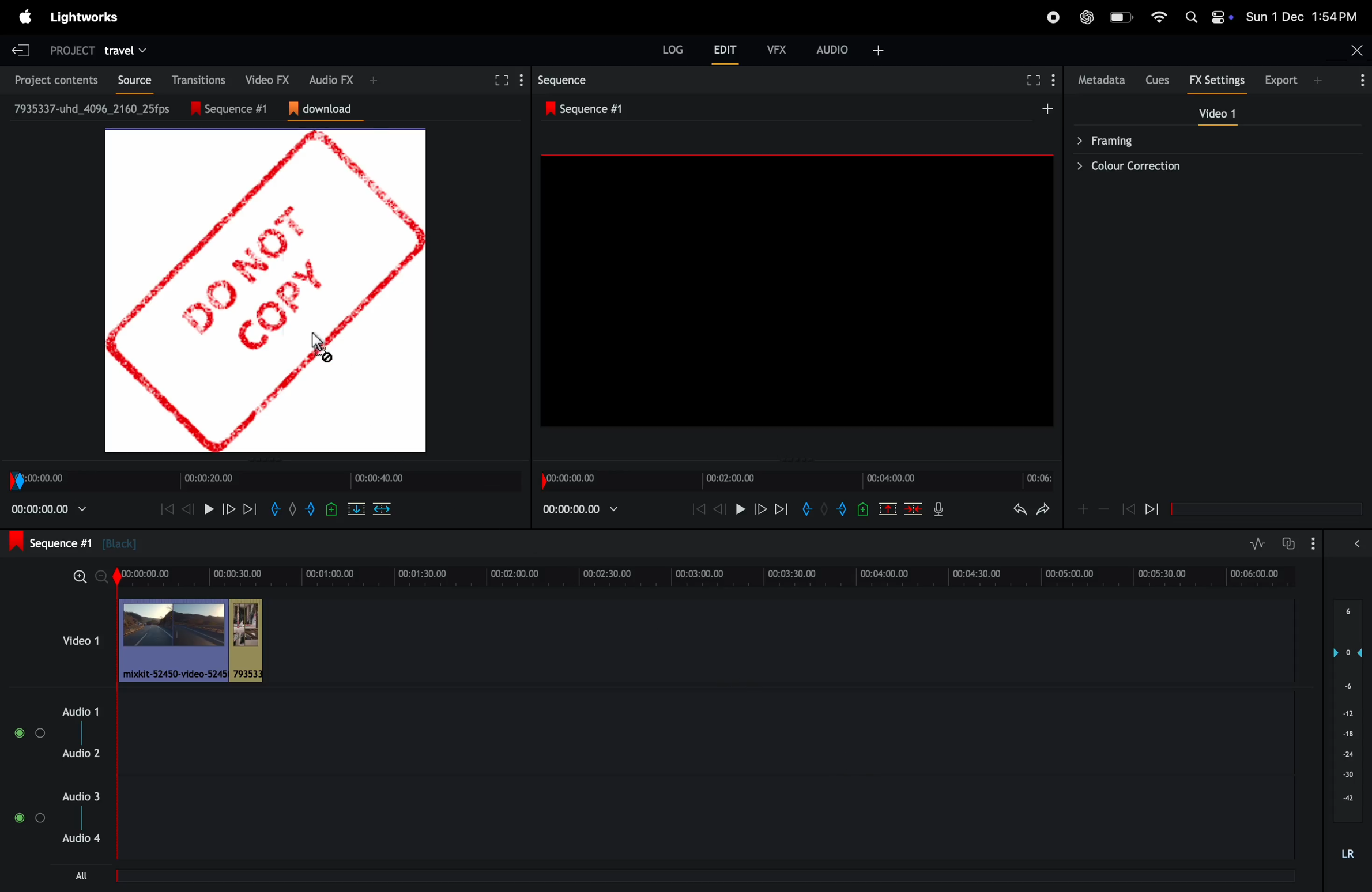  I want to click on battery, so click(1123, 17).